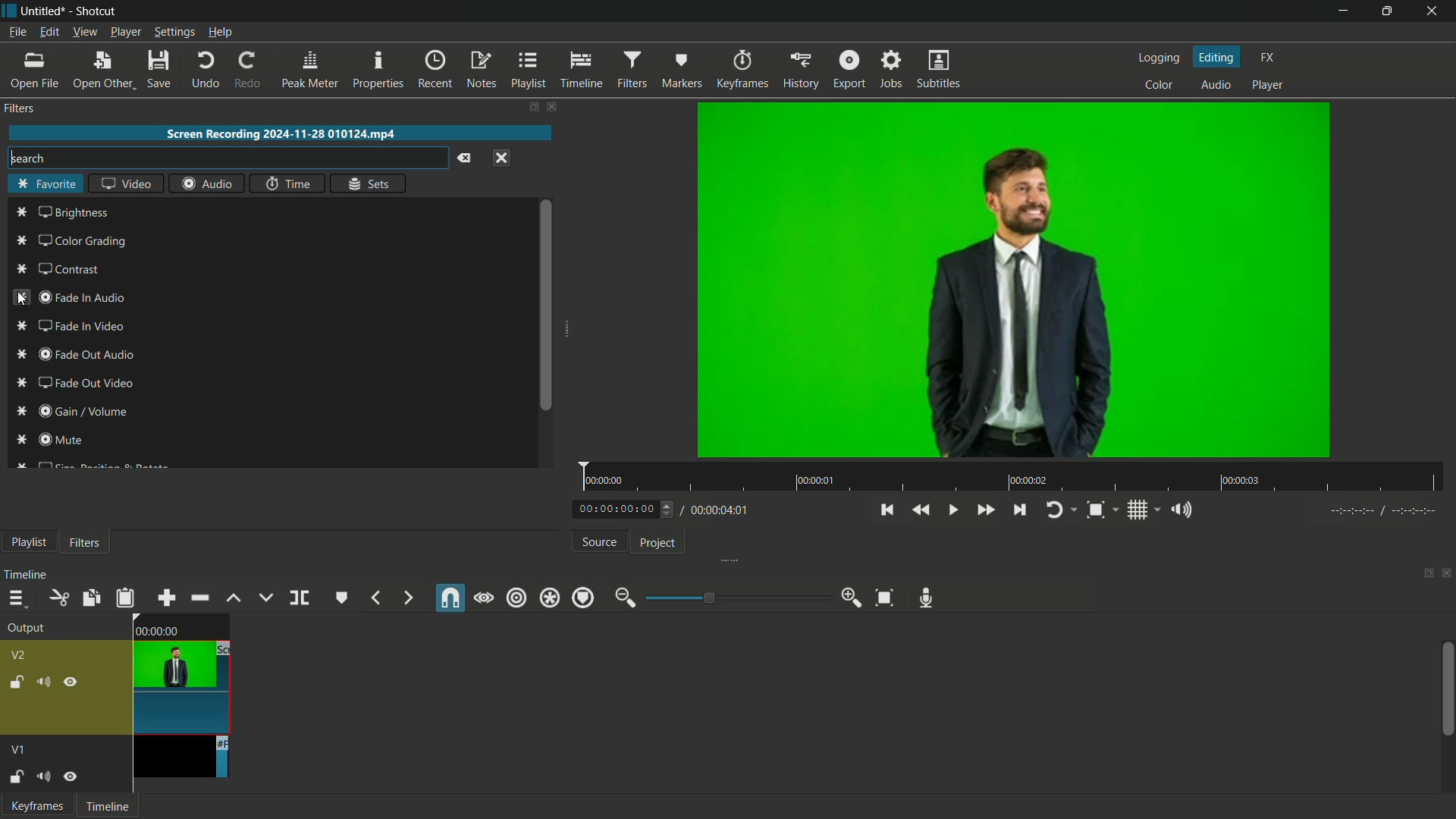 The image size is (1456, 819). I want to click on open file, so click(33, 71).